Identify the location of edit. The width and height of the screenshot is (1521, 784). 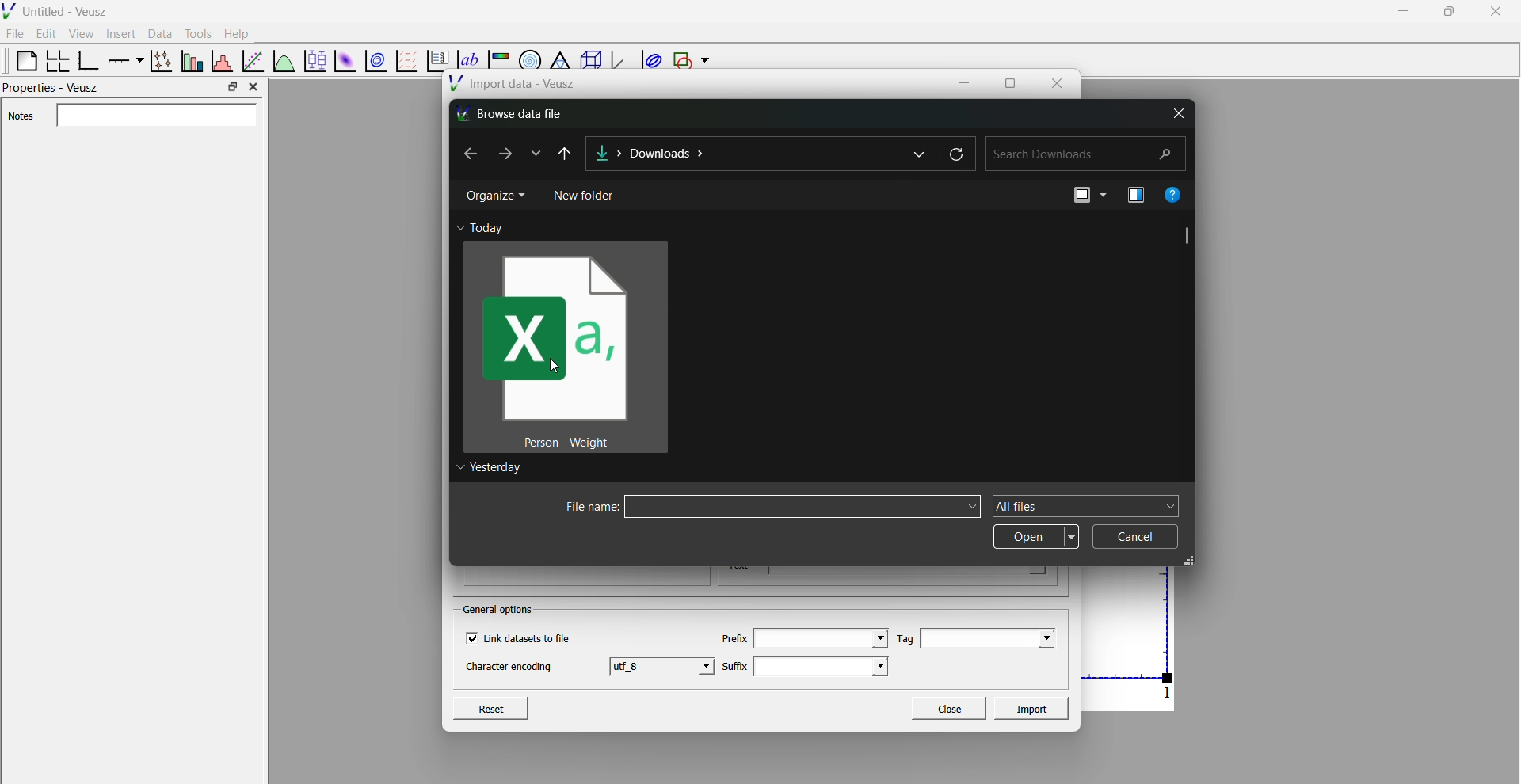
(48, 34).